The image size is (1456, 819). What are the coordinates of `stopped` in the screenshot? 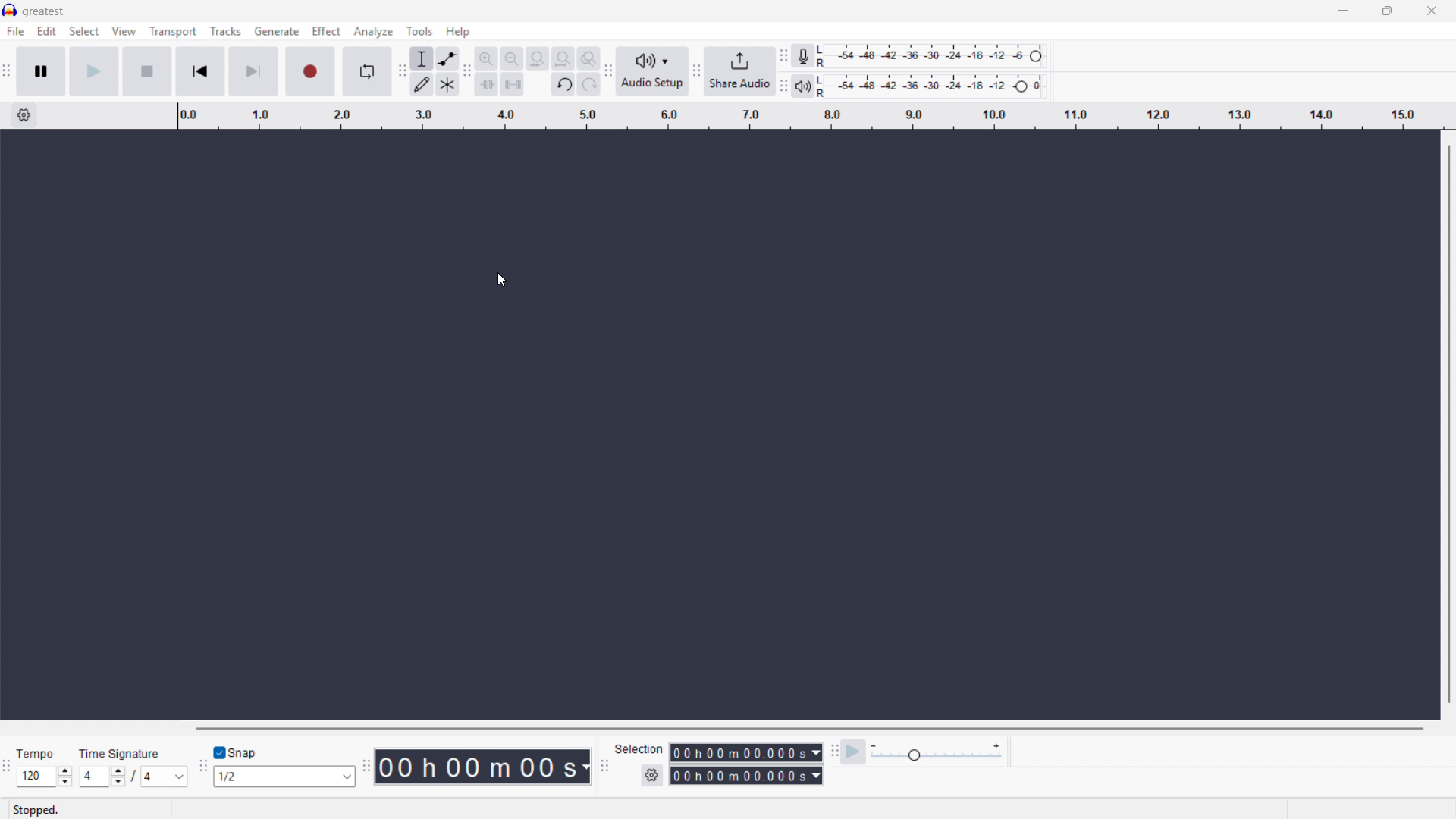 It's located at (35, 811).